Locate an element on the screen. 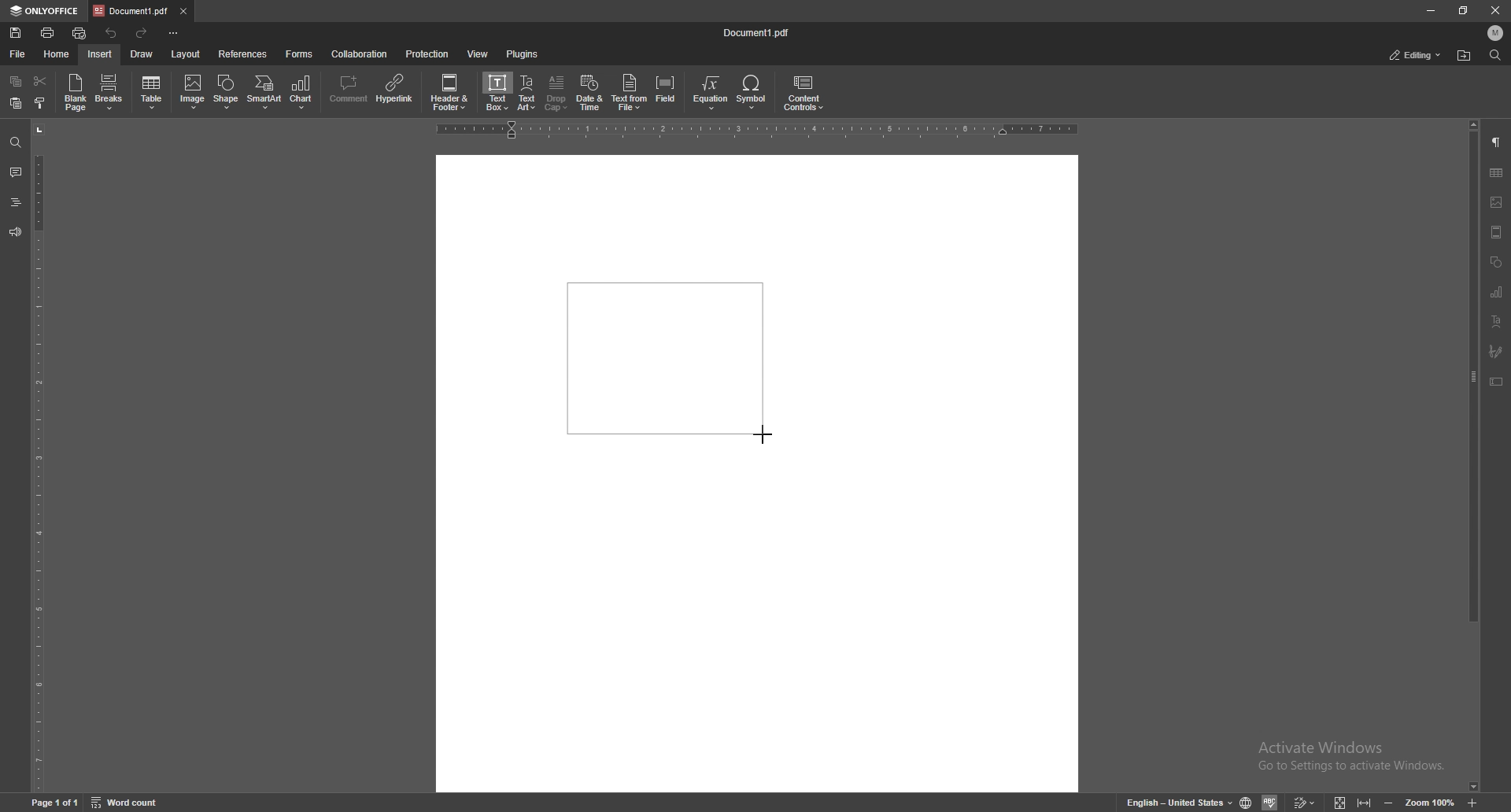 Image resolution: width=1511 pixels, height=812 pixels. close tab is located at coordinates (183, 10).